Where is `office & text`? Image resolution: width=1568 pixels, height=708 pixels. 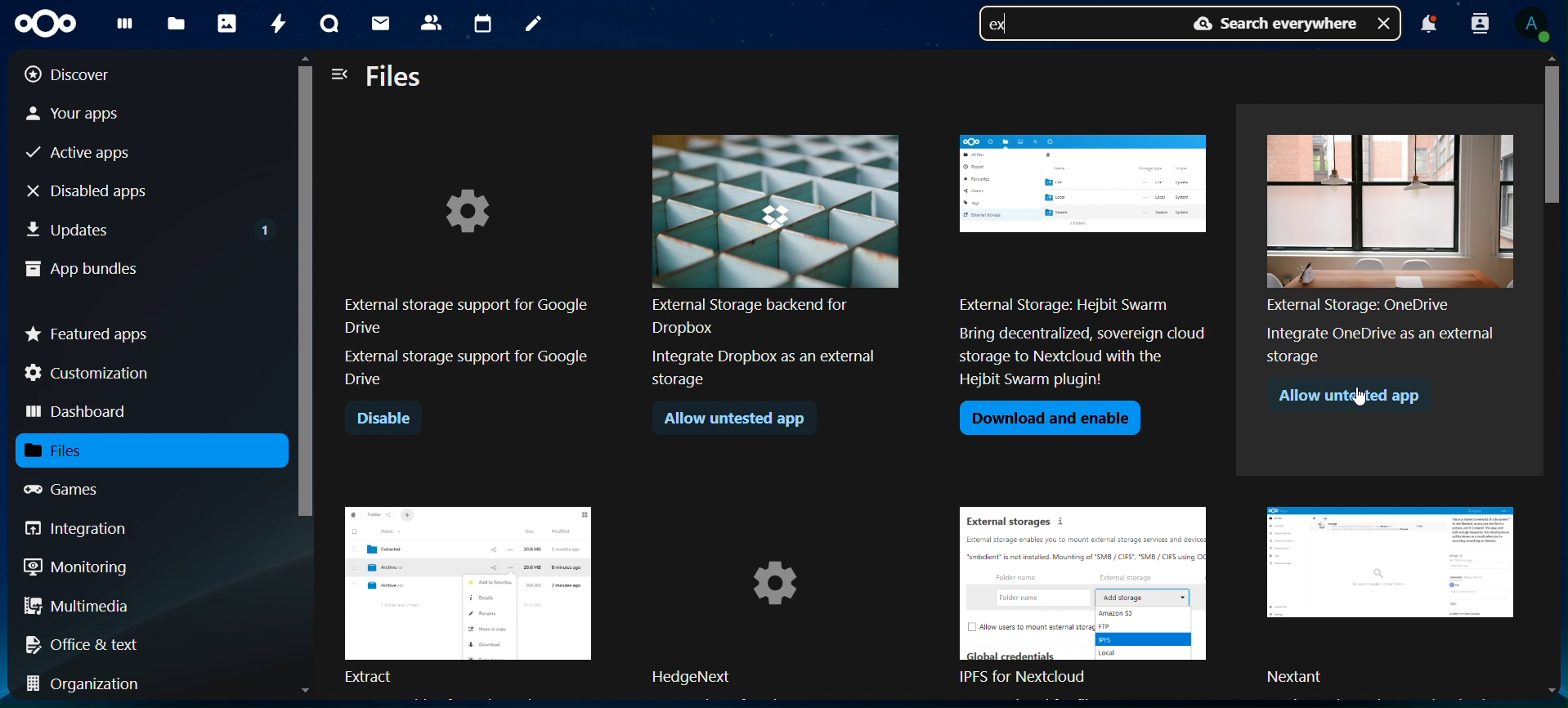 office & text is located at coordinates (87, 643).